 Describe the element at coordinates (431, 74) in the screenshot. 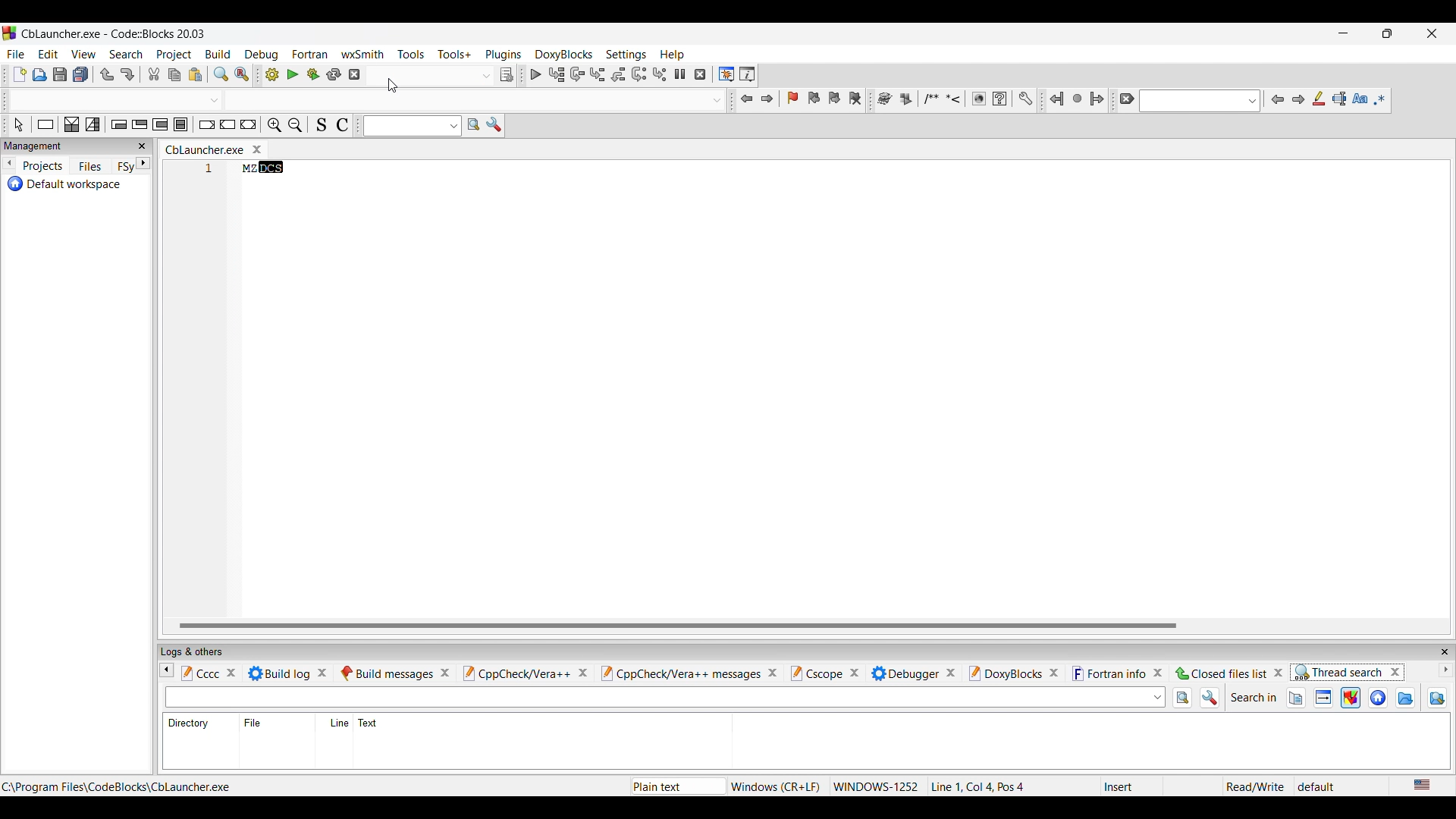

I see `Text box with options` at that location.